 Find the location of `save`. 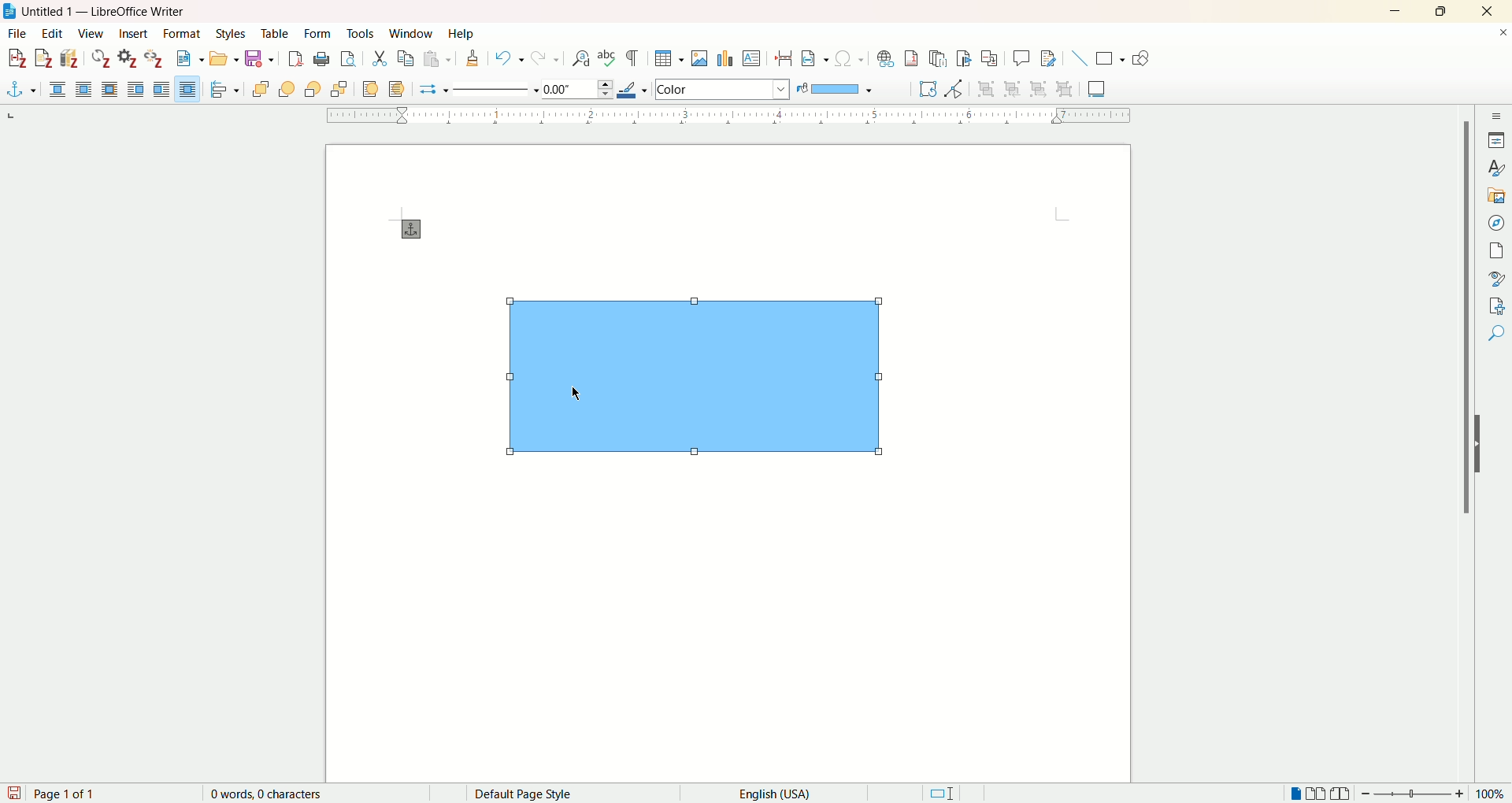

save is located at coordinates (14, 793).